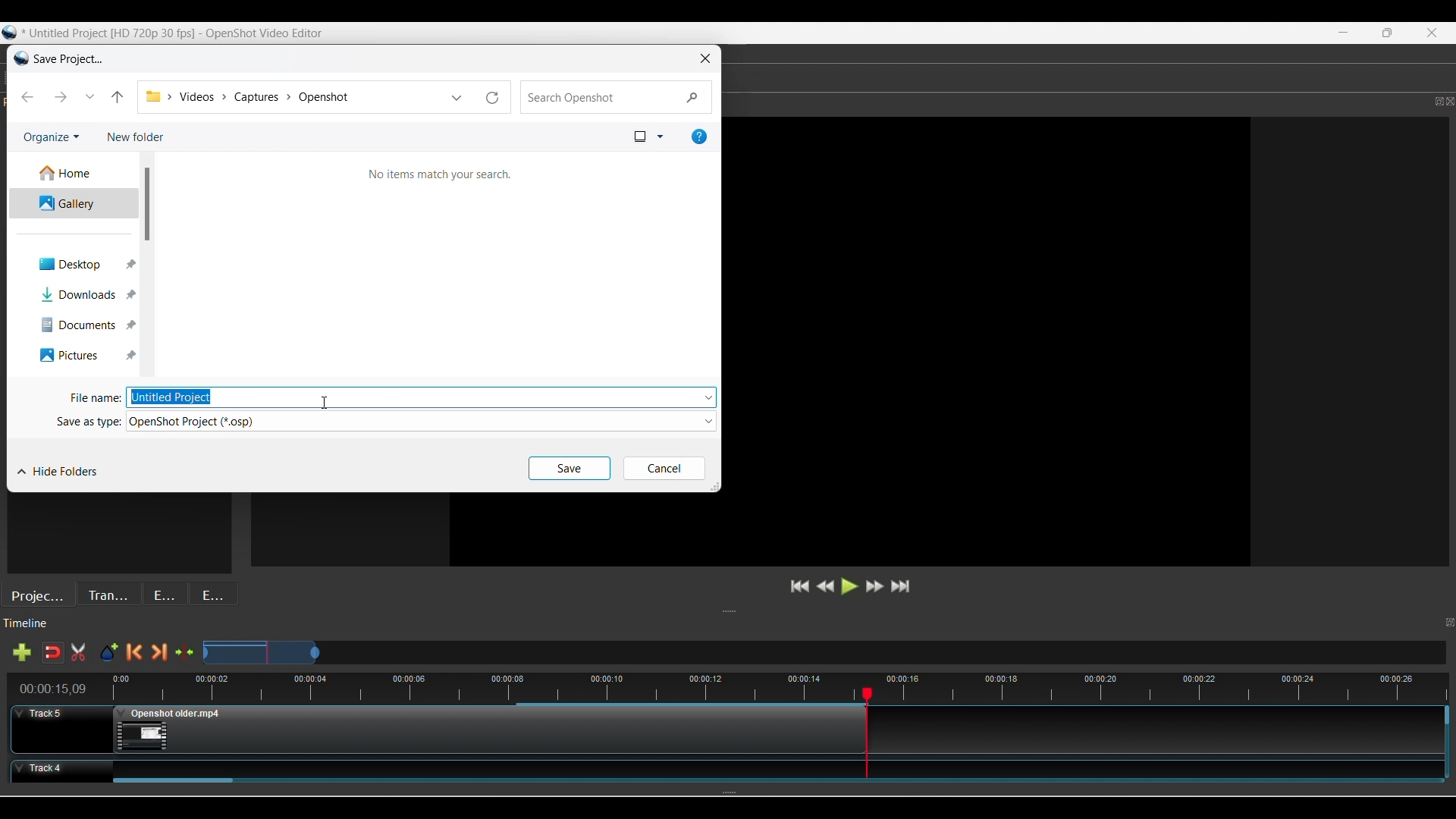 This screenshot has width=1456, height=819. Describe the element at coordinates (290, 96) in the screenshot. I see `Folder location` at that location.